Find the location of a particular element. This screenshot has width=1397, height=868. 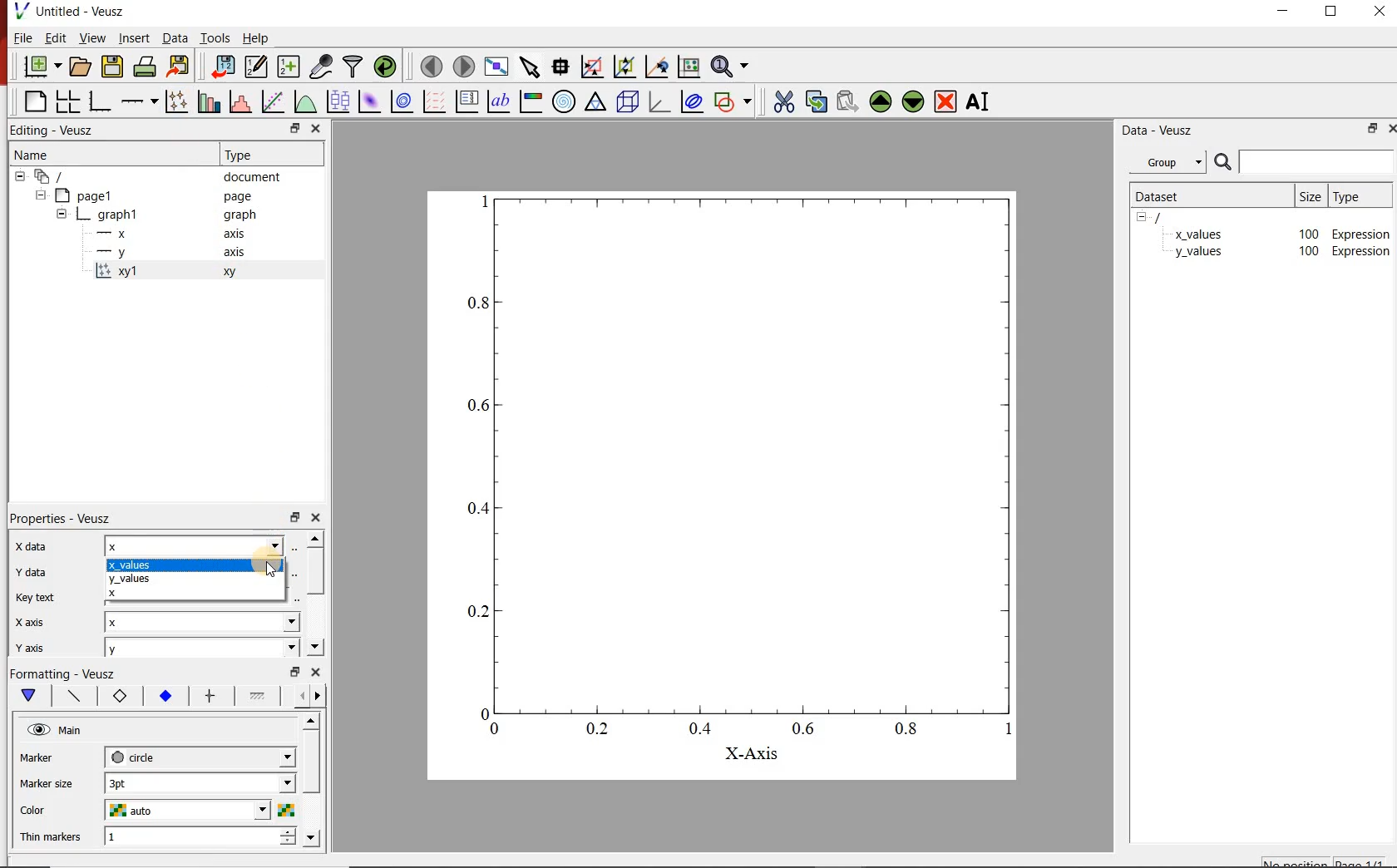

capture remote data is located at coordinates (321, 66).